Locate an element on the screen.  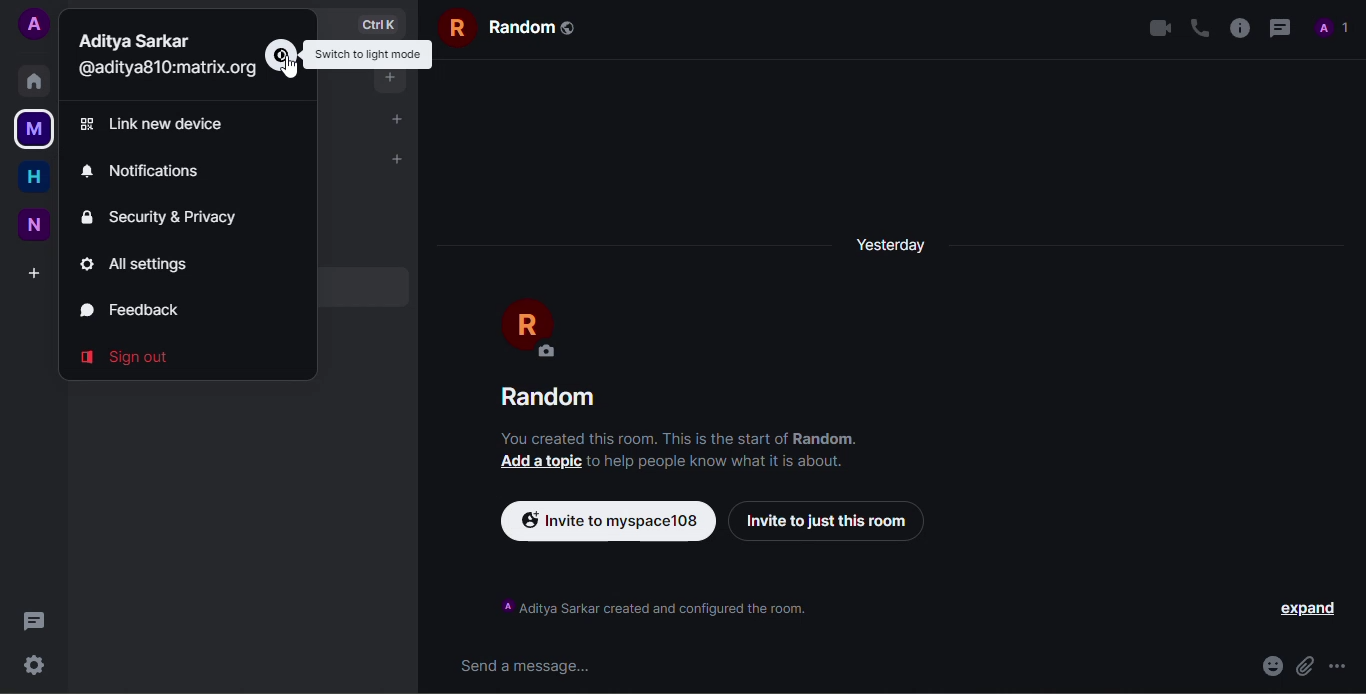
emoji is located at coordinates (1271, 666).